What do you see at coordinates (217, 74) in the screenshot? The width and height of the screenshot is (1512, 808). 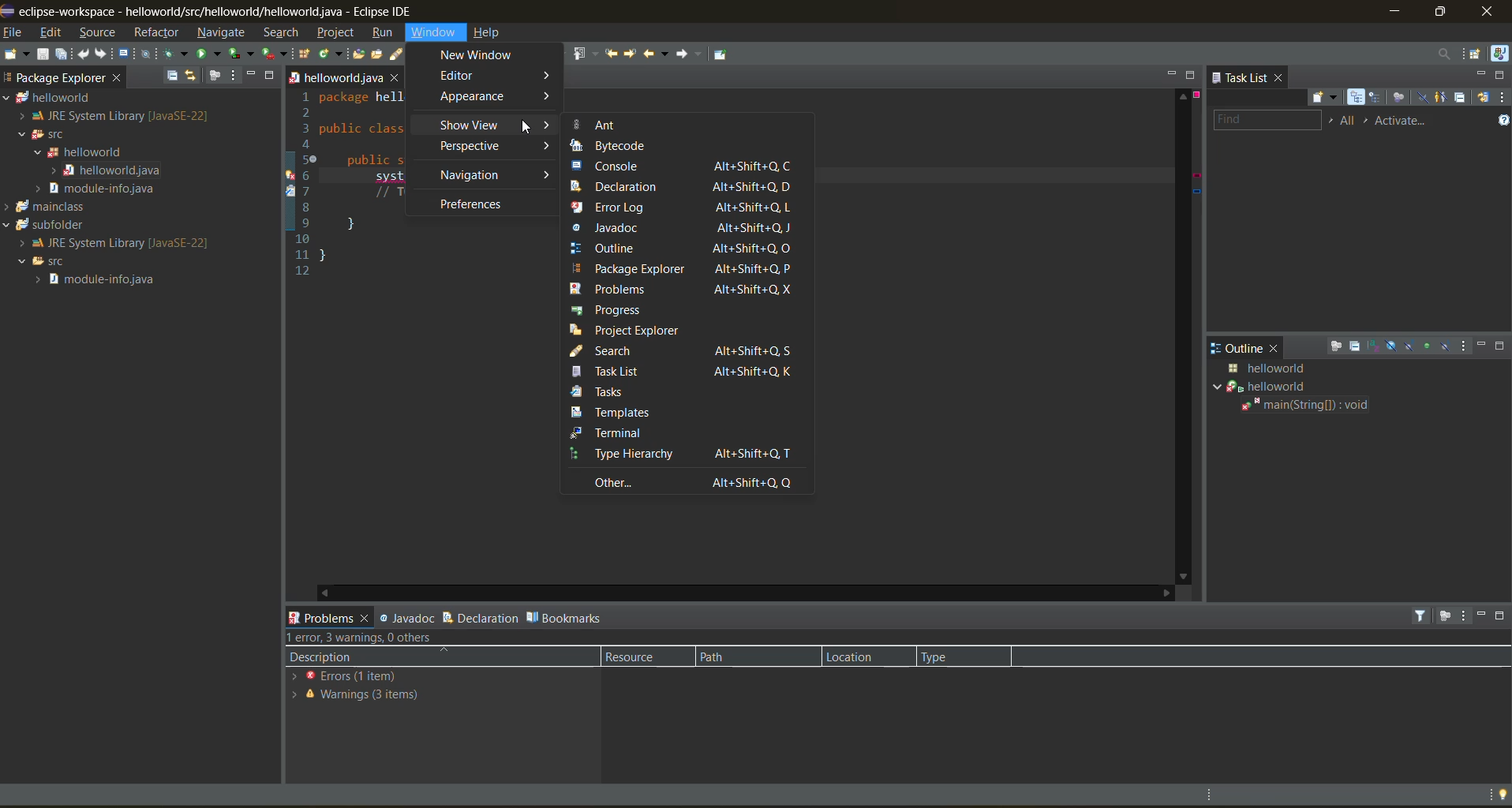 I see `focus on active task` at bounding box center [217, 74].